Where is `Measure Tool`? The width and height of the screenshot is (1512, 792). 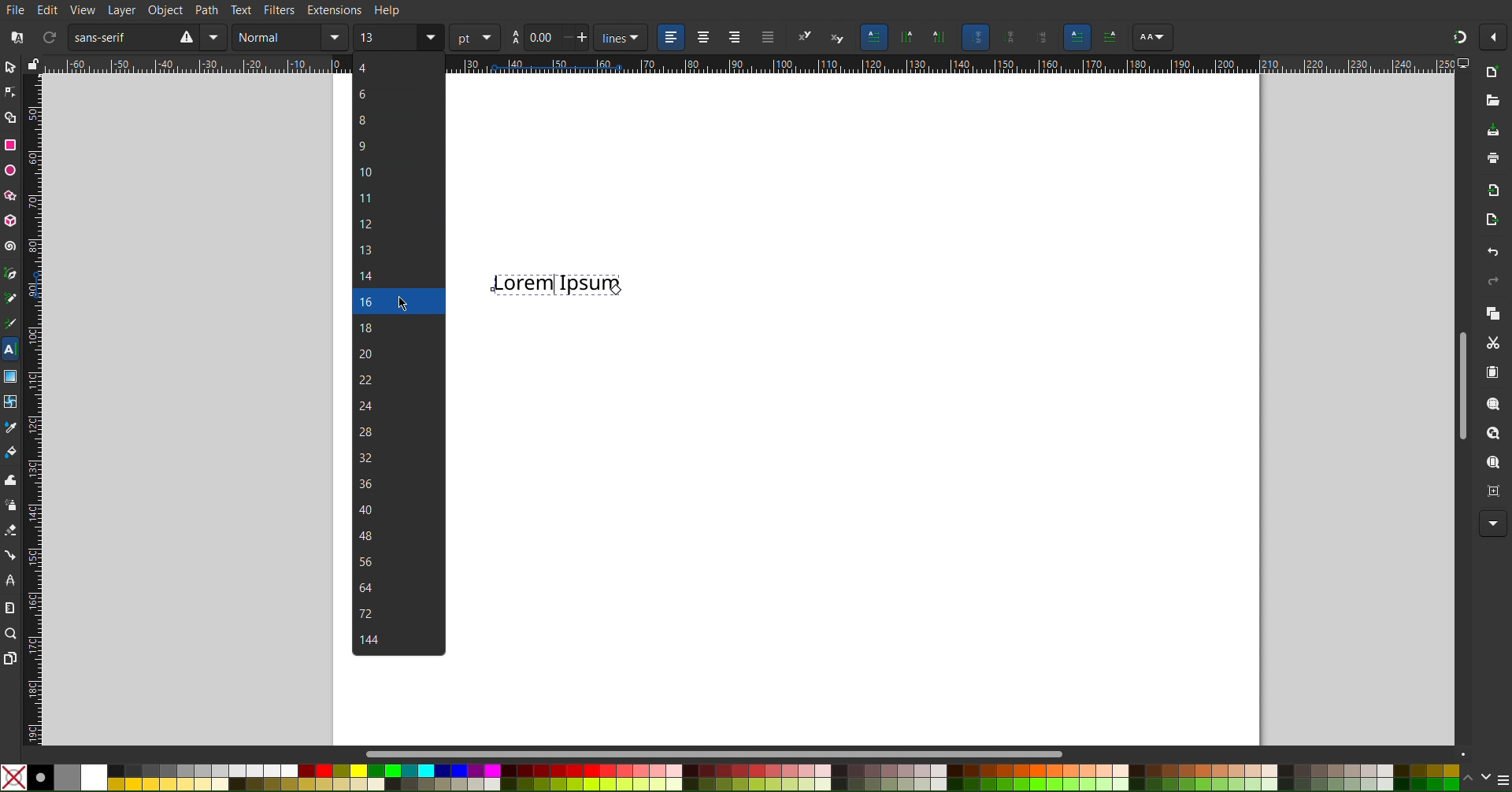 Measure Tool is located at coordinates (9, 606).